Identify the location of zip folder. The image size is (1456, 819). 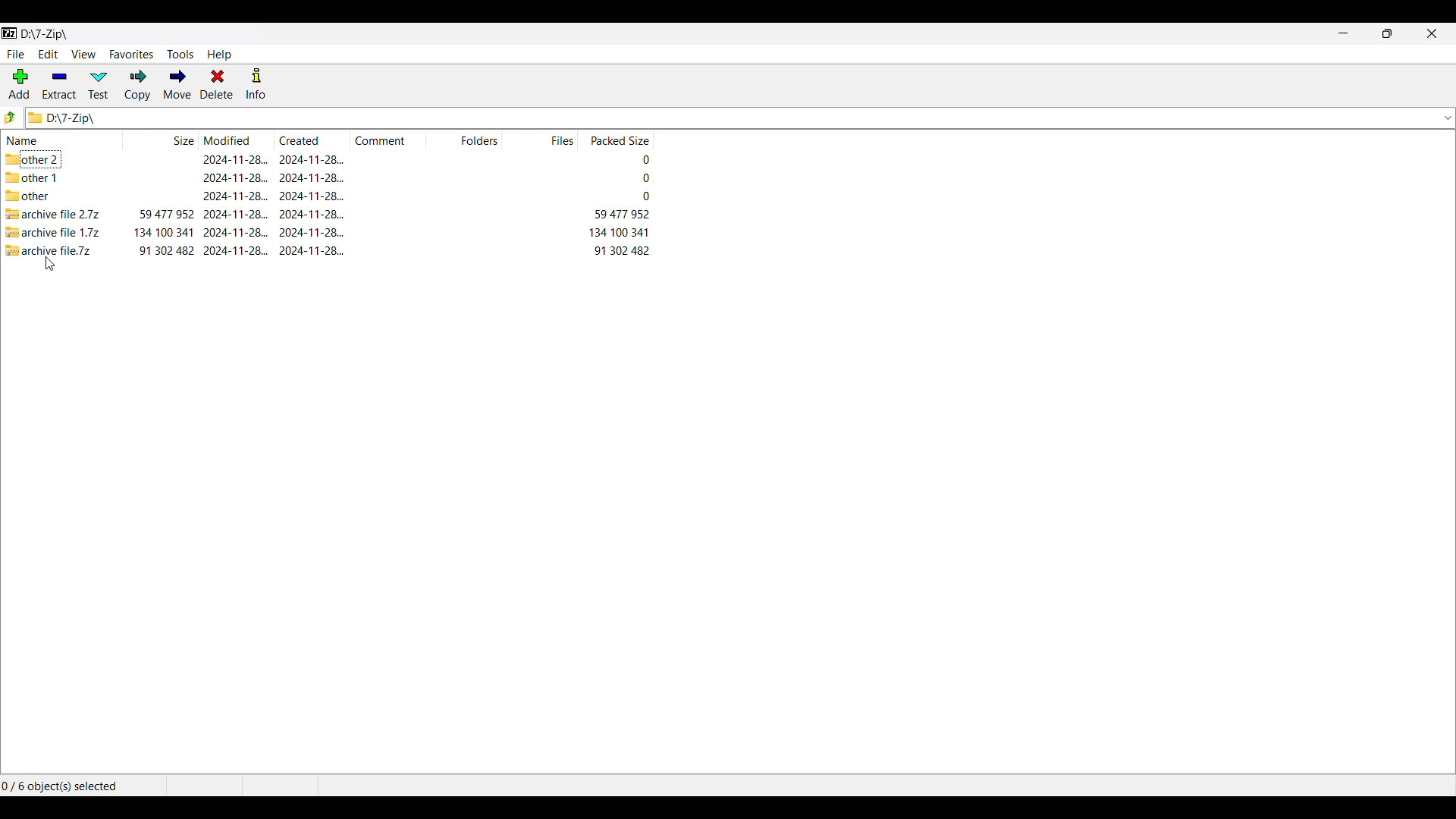
(53, 250).